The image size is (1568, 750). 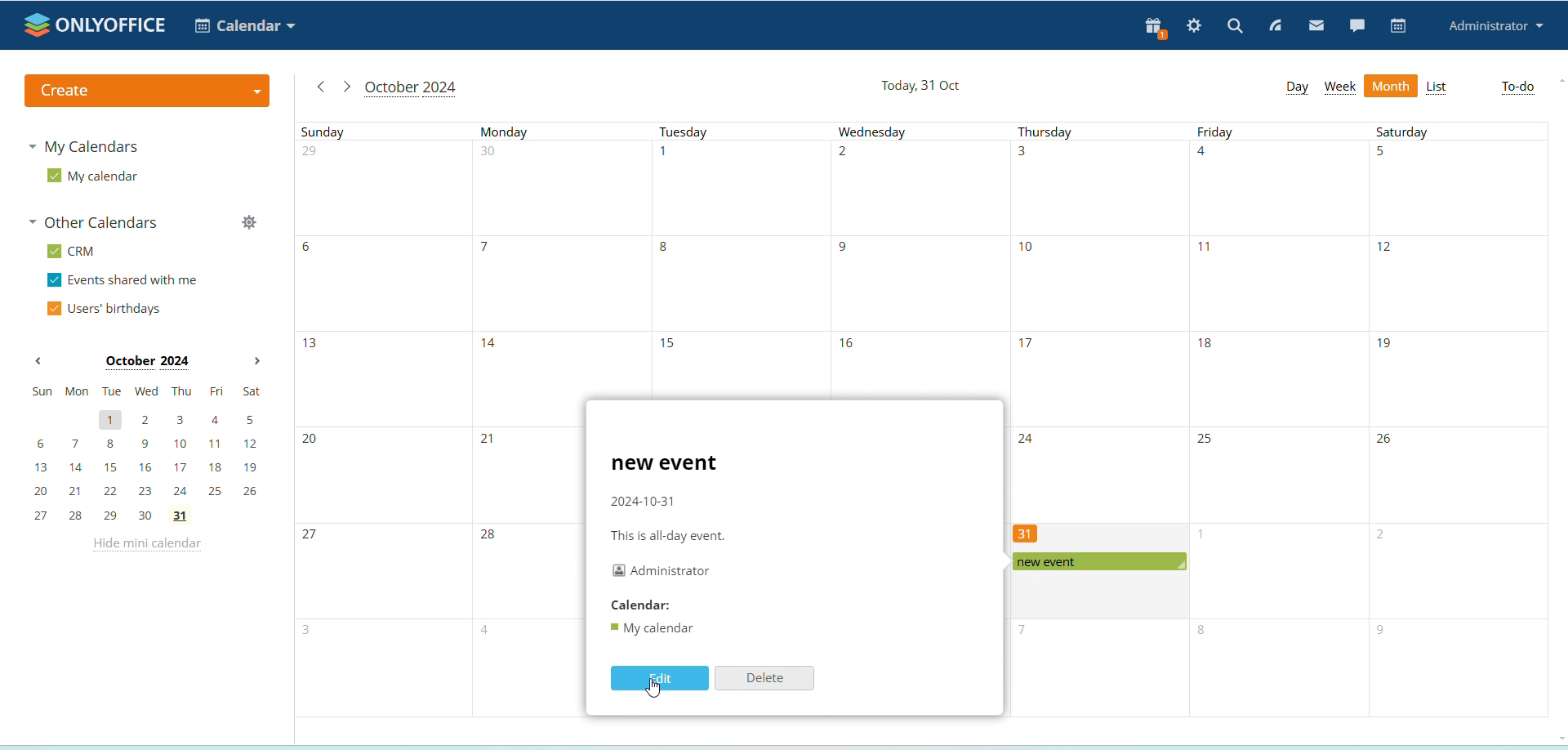 What do you see at coordinates (1399, 26) in the screenshot?
I see `calendar` at bounding box center [1399, 26].